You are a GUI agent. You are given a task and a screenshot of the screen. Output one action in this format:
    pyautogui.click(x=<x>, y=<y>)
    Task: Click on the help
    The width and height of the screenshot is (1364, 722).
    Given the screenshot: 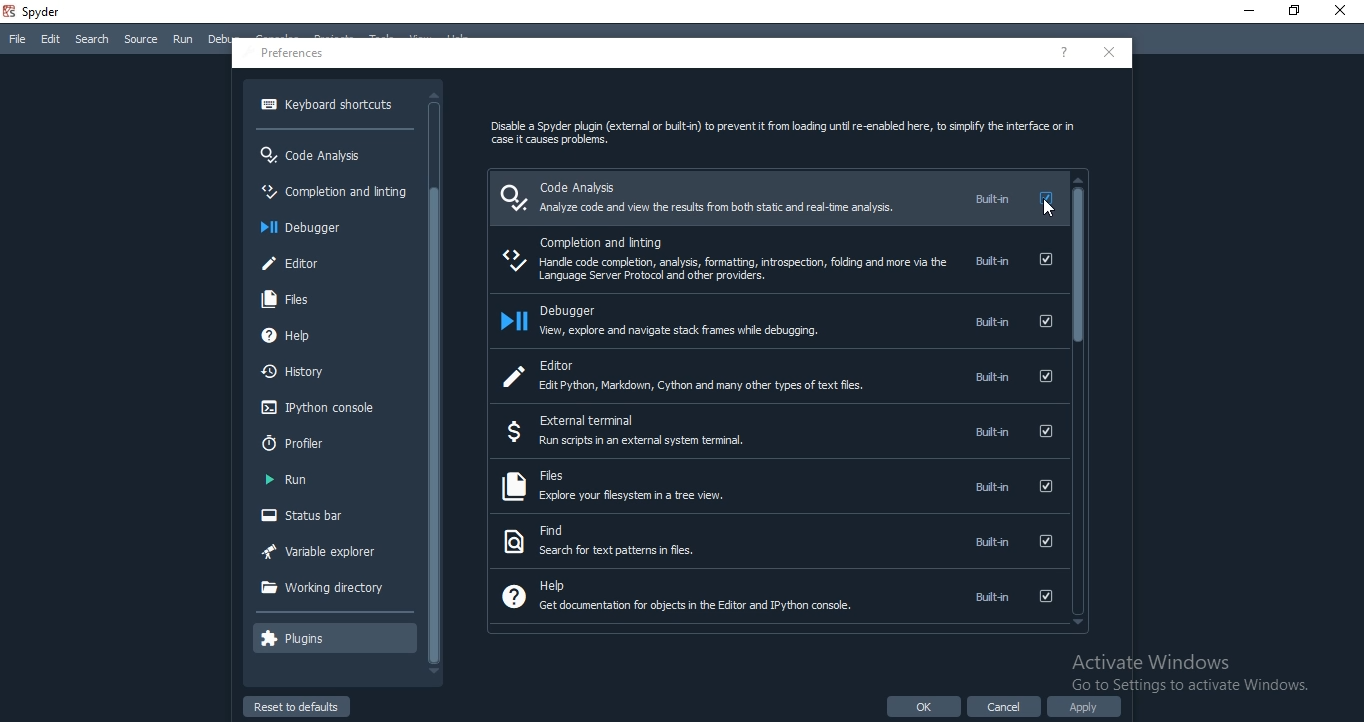 What is the action you would take?
    pyautogui.click(x=327, y=335)
    